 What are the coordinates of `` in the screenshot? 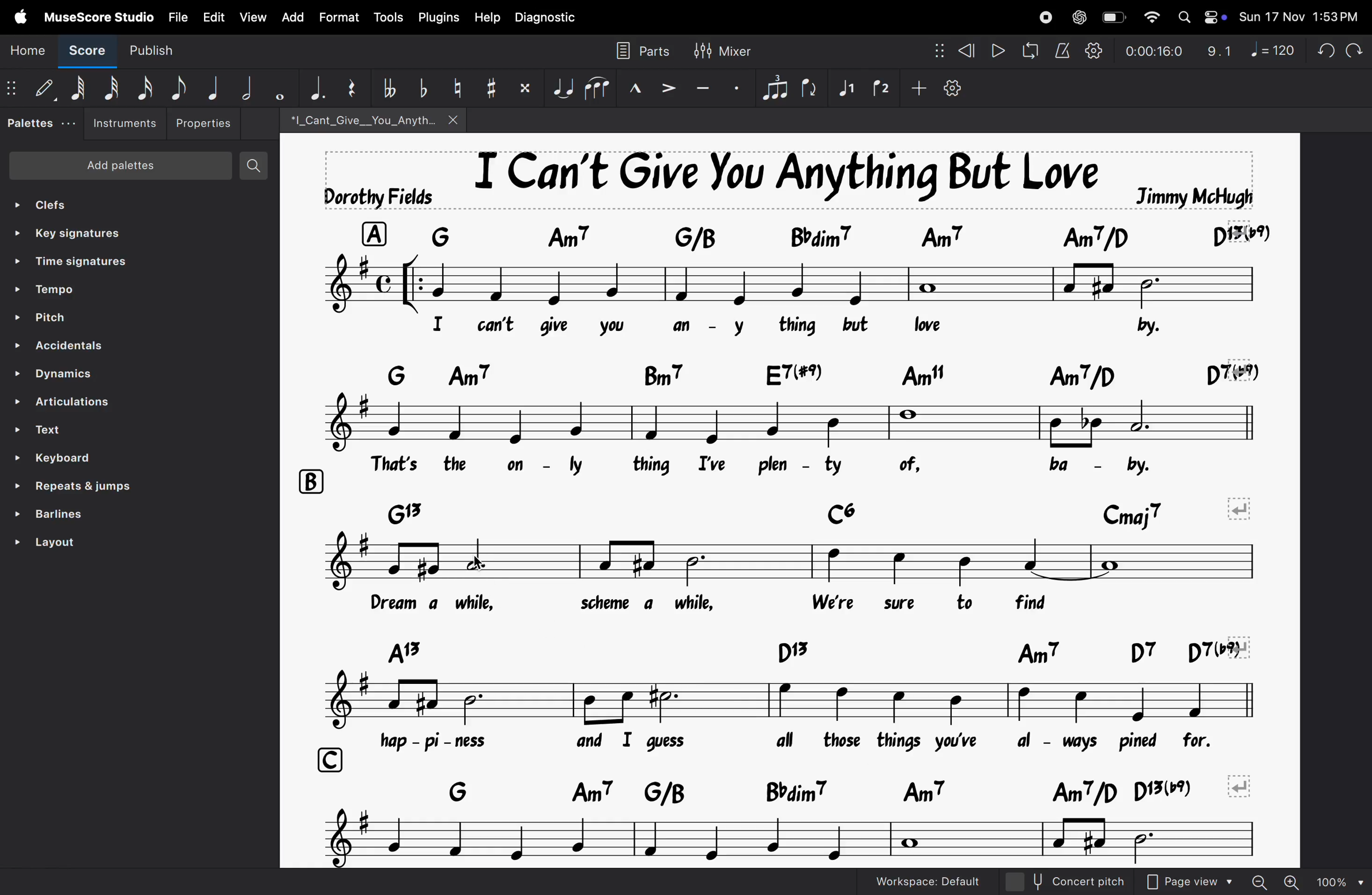 It's located at (1363, 881).